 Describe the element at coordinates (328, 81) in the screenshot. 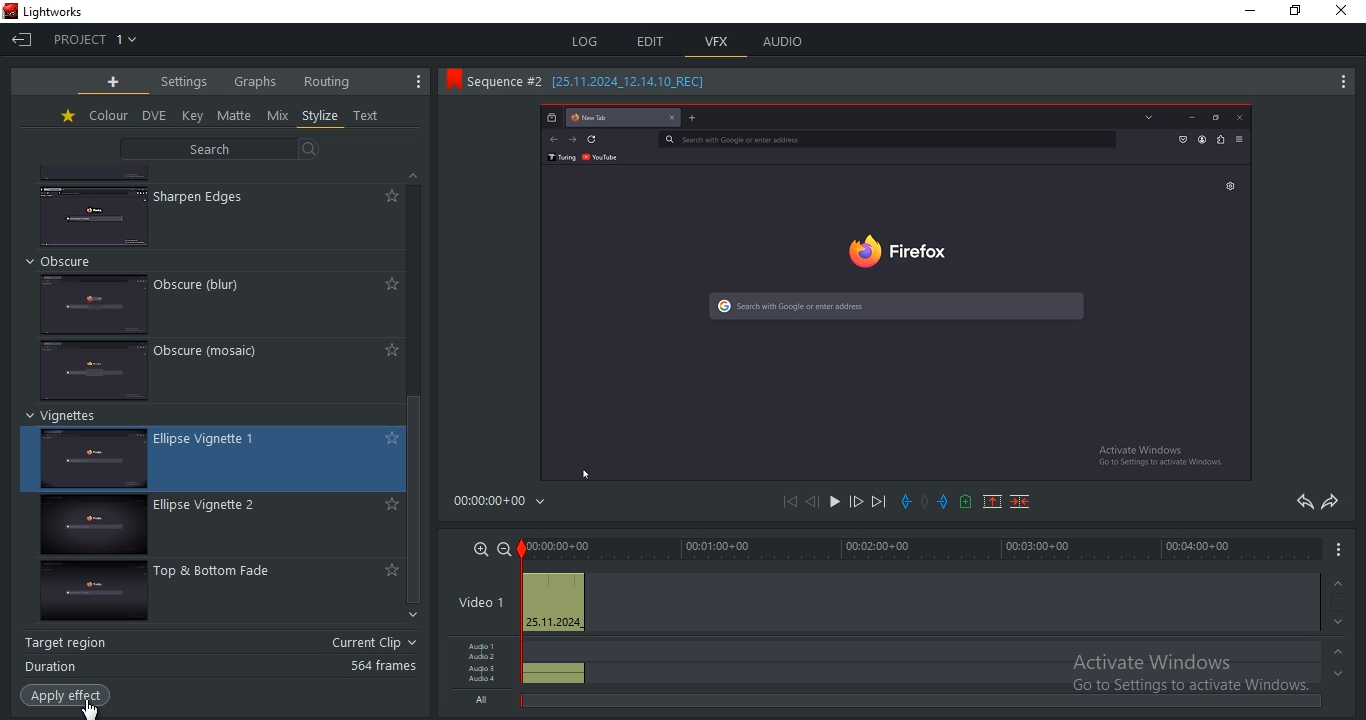

I see `routing` at that location.